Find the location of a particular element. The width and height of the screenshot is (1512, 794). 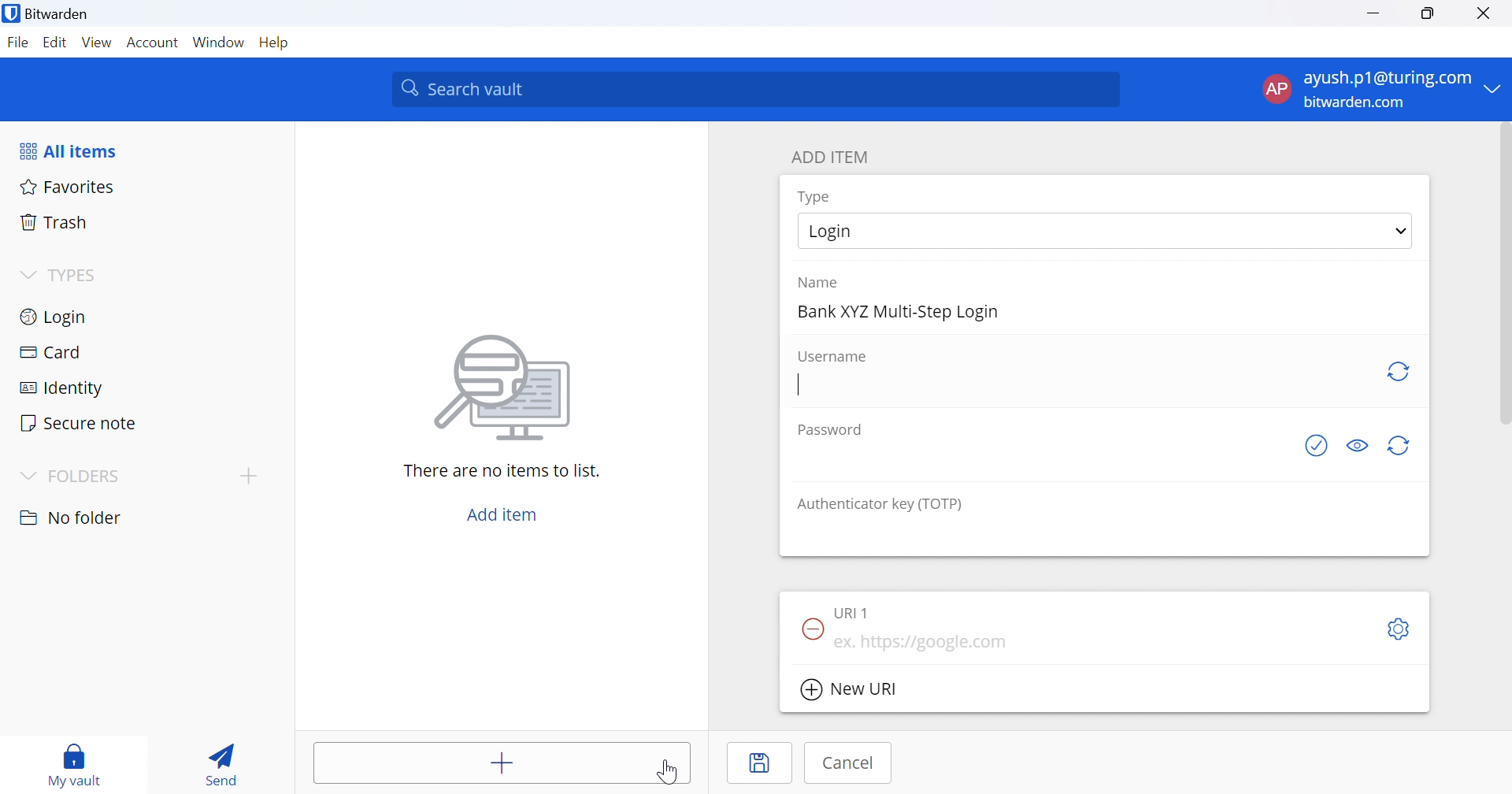

FOLDERS is located at coordinates (92, 477).